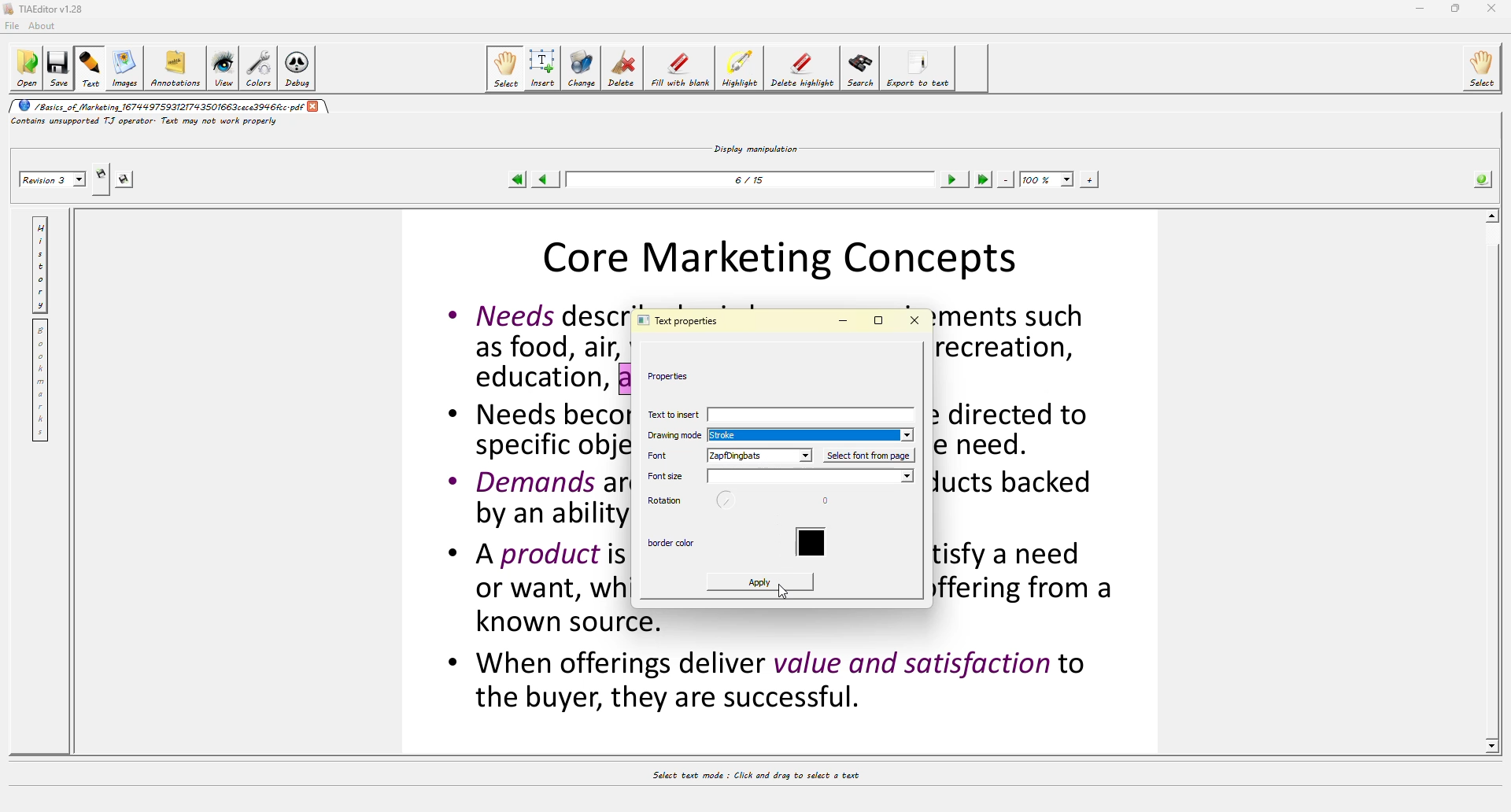 The width and height of the screenshot is (1511, 812). I want to click on select, so click(507, 68).